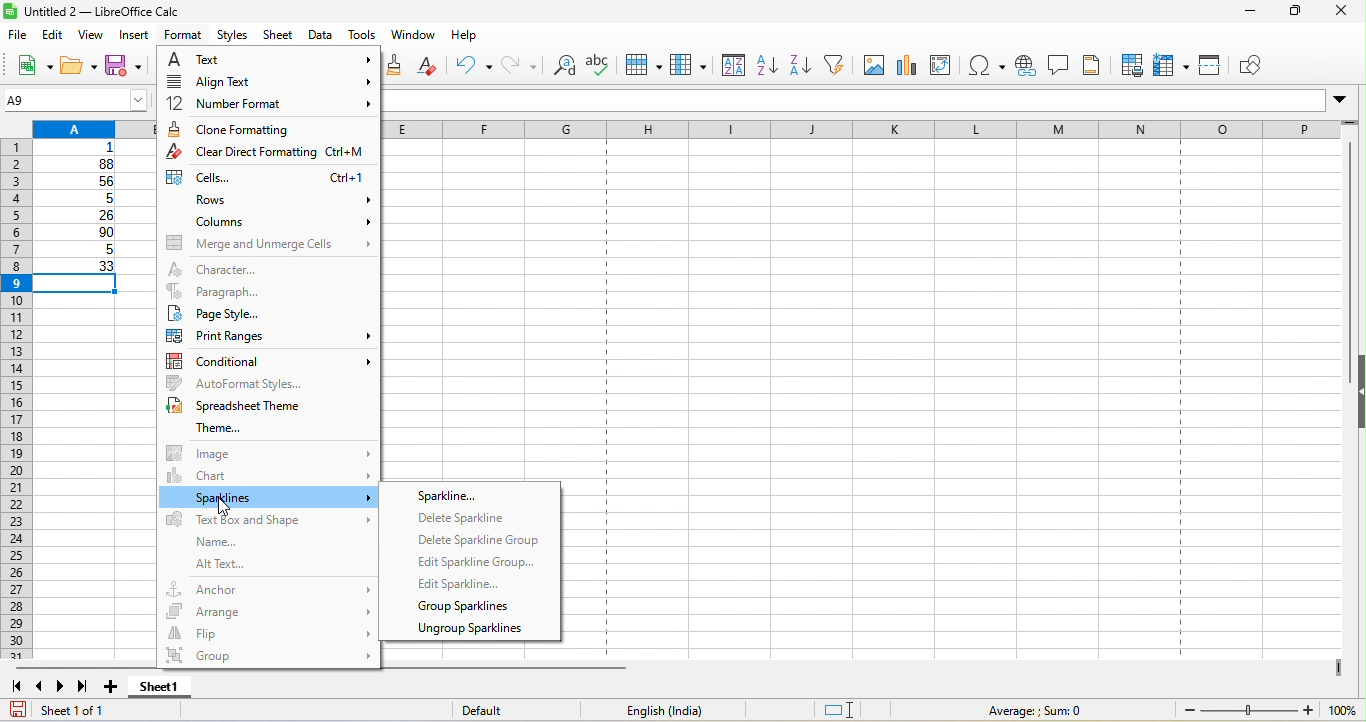 The height and width of the screenshot is (722, 1366). Describe the element at coordinates (881, 131) in the screenshot. I see `column headingas` at that location.